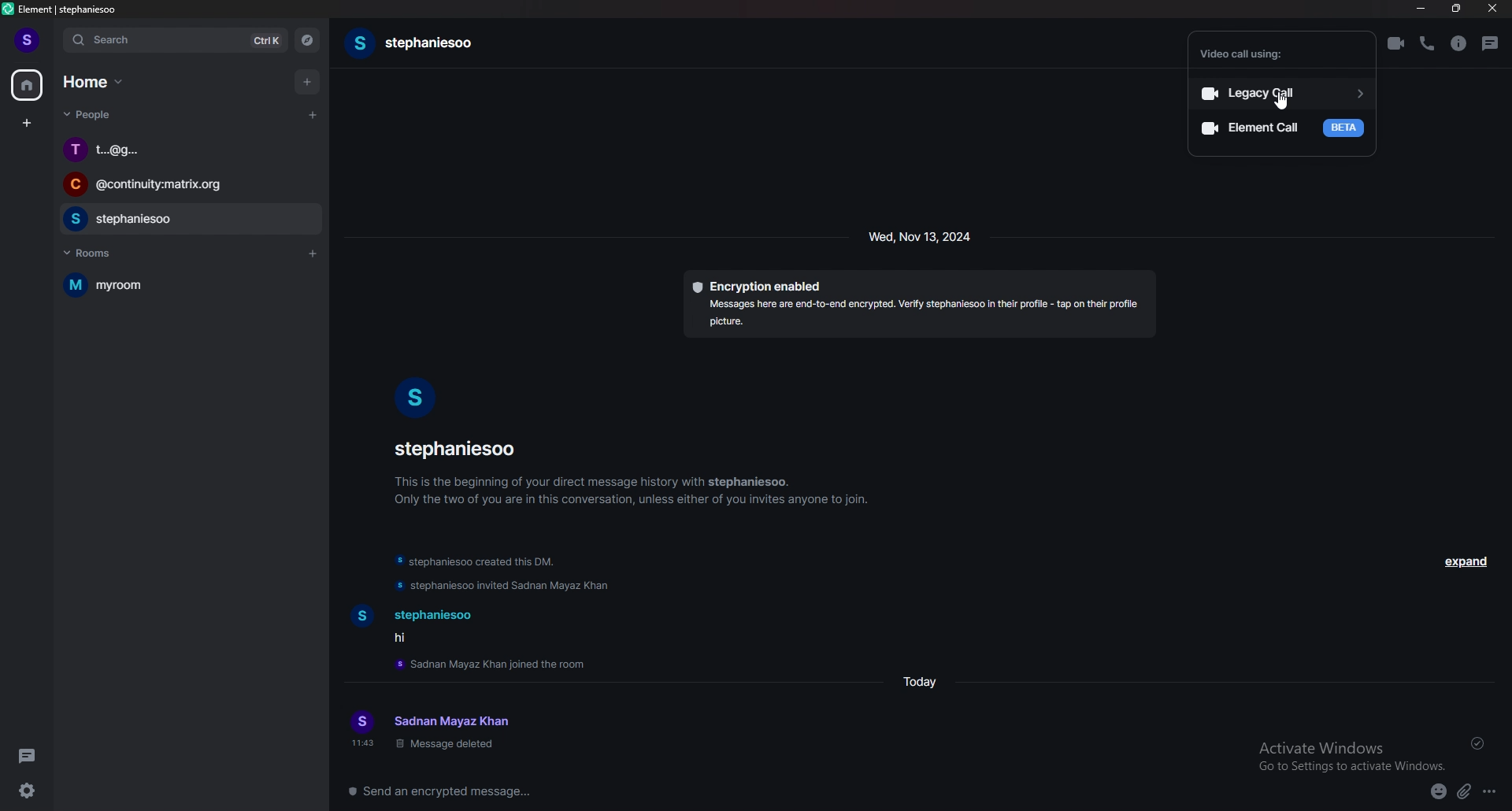 The height and width of the screenshot is (811, 1512). Describe the element at coordinates (186, 220) in the screenshot. I see `chat` at that location.